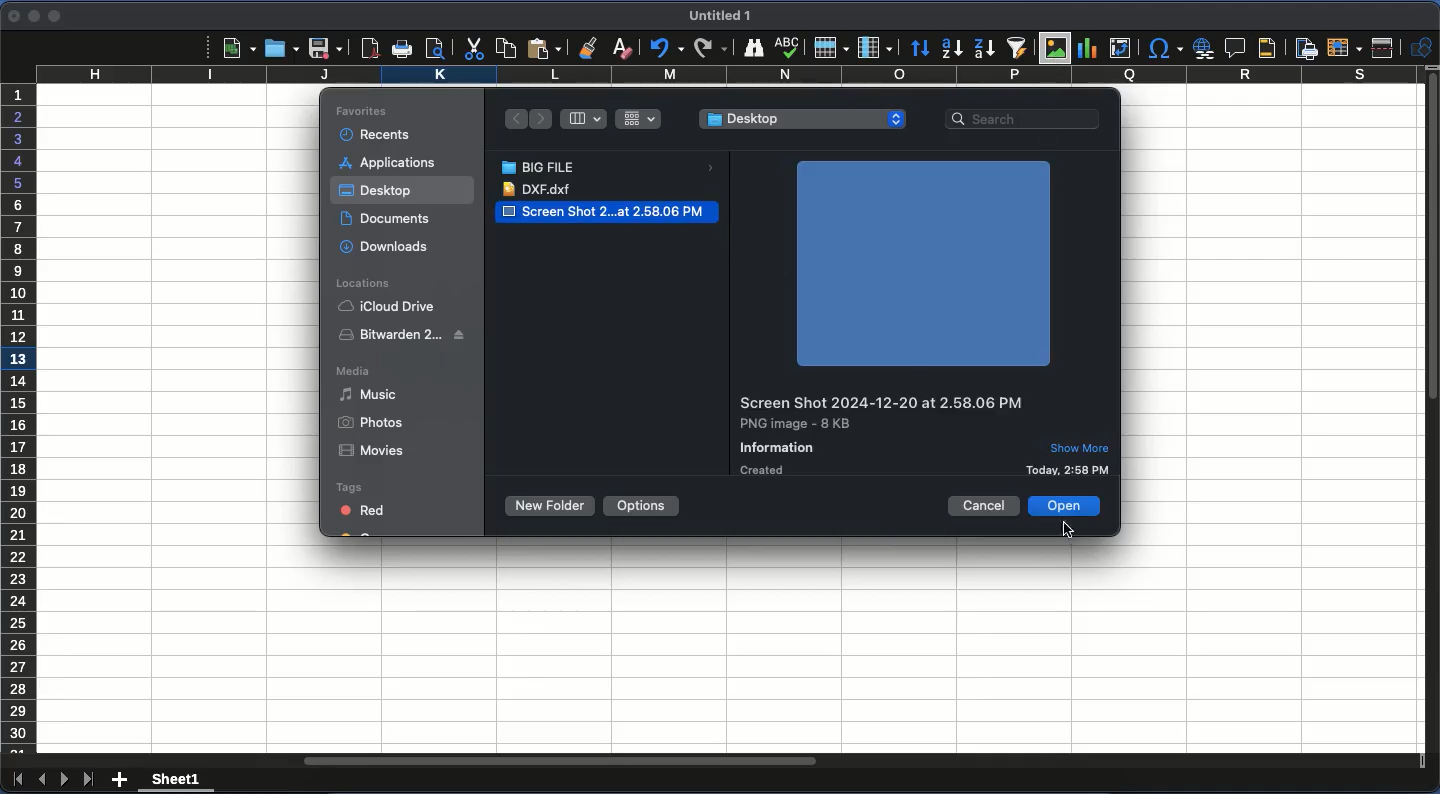  Describe the element at coordinates (603, 211) in the screenshot. I see `screen shot 2` at that location.